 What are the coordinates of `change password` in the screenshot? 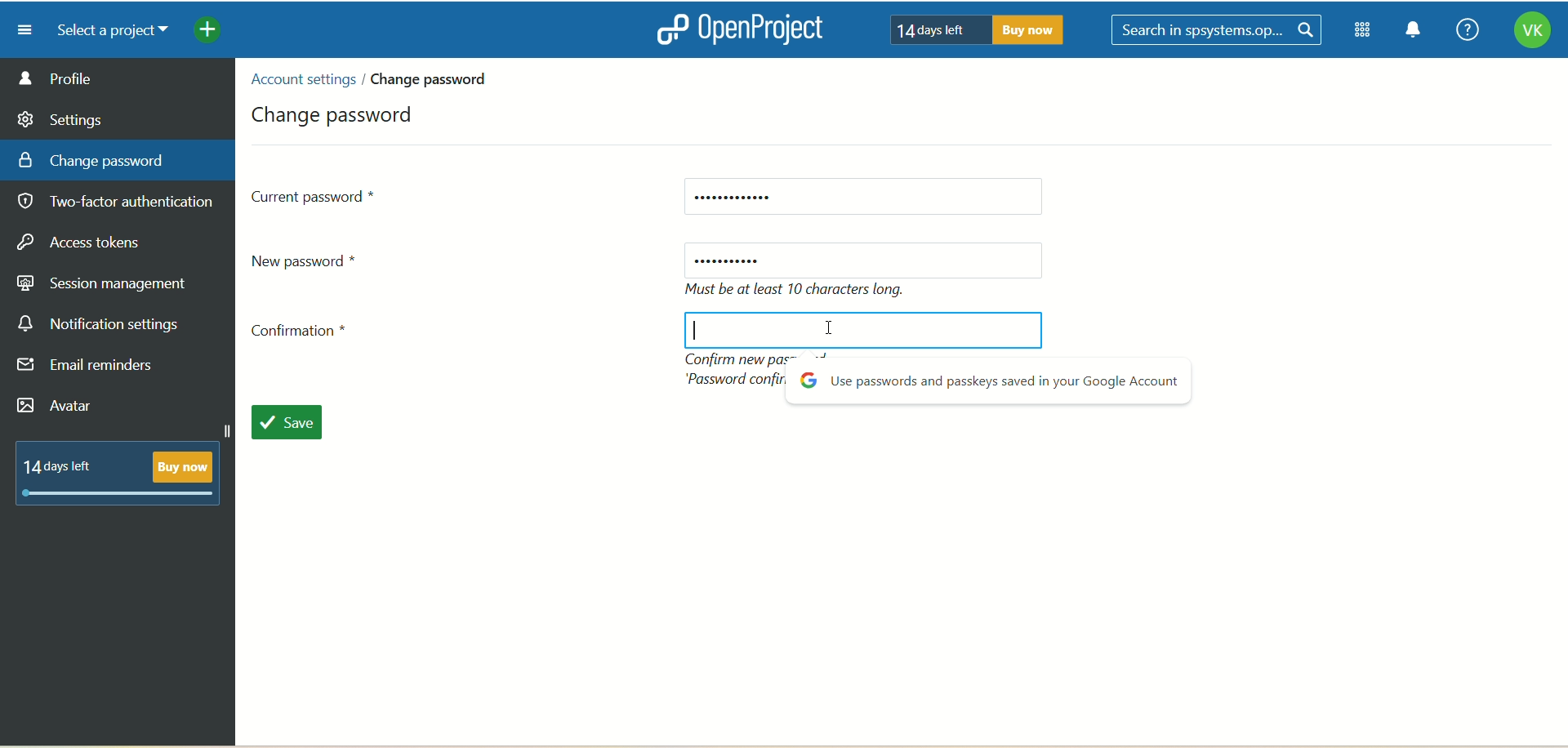 It's located at (336, 112).